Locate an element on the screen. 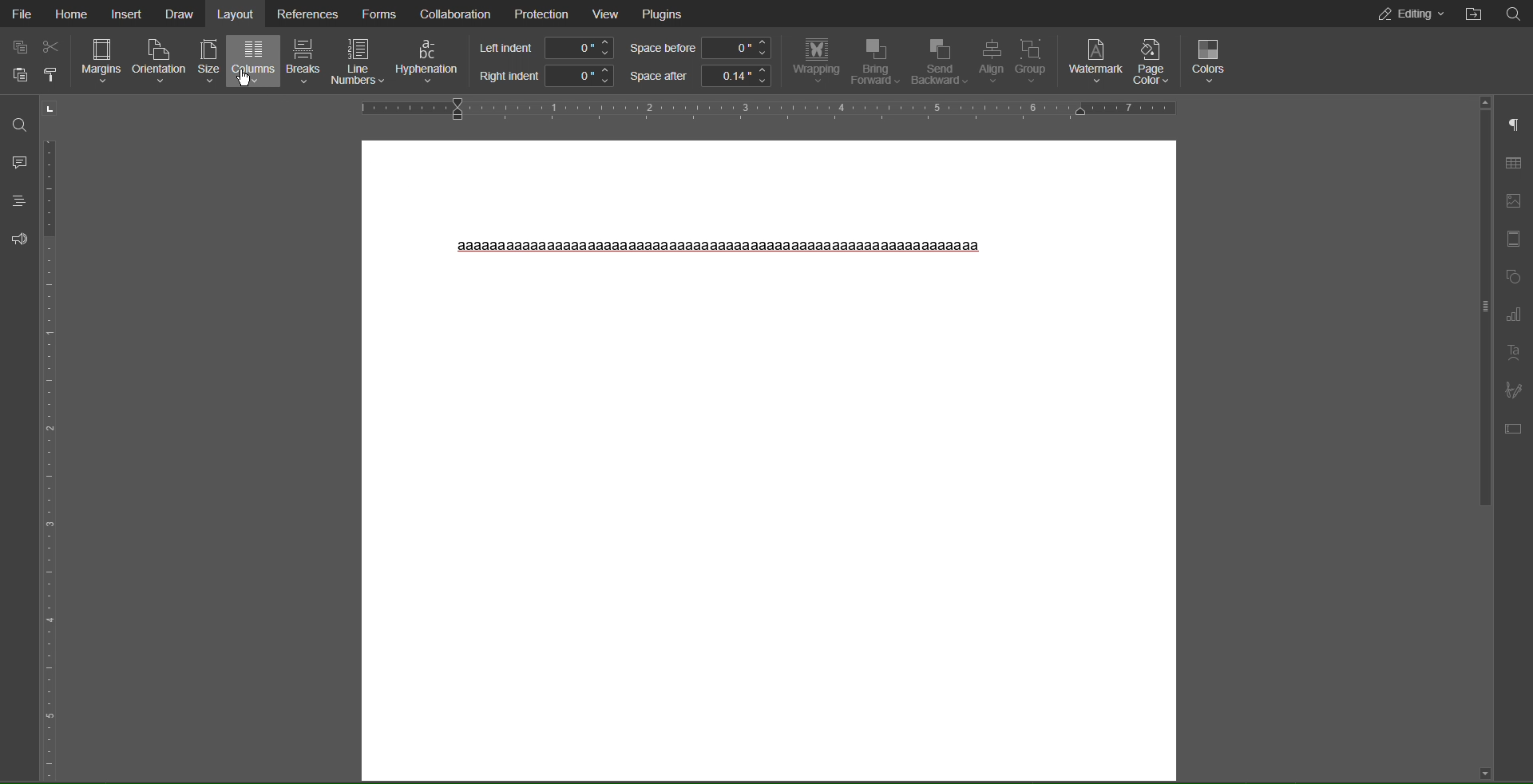 Image resolution: width=1533 pixels, height=784 pixels. cursor is located at coordinates (248, 79).